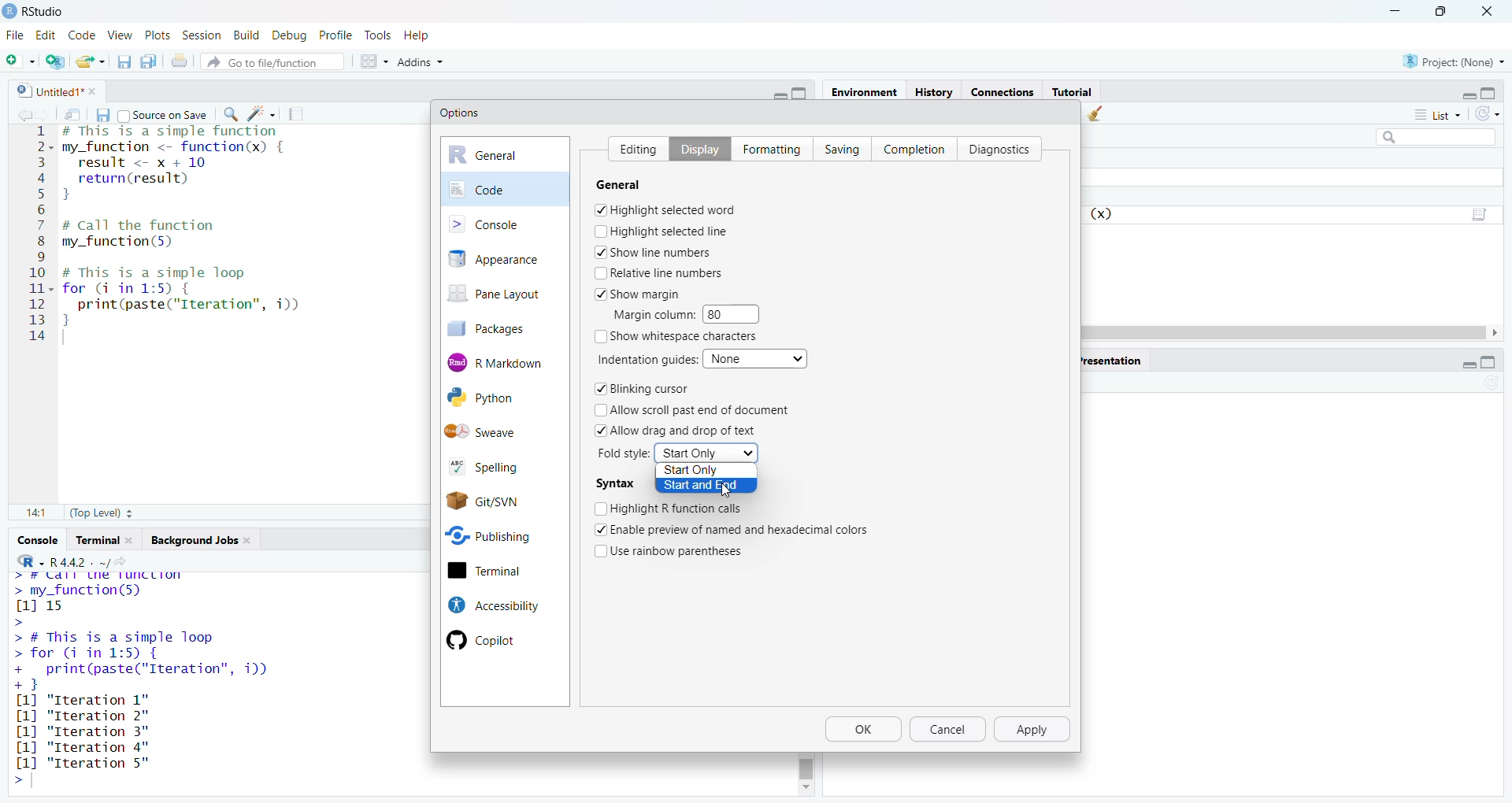 The image size is (1512, 803). What do you see at coordinates (702, 472) in the screenshot?
I see `start only` at bounding box center [702, 472].